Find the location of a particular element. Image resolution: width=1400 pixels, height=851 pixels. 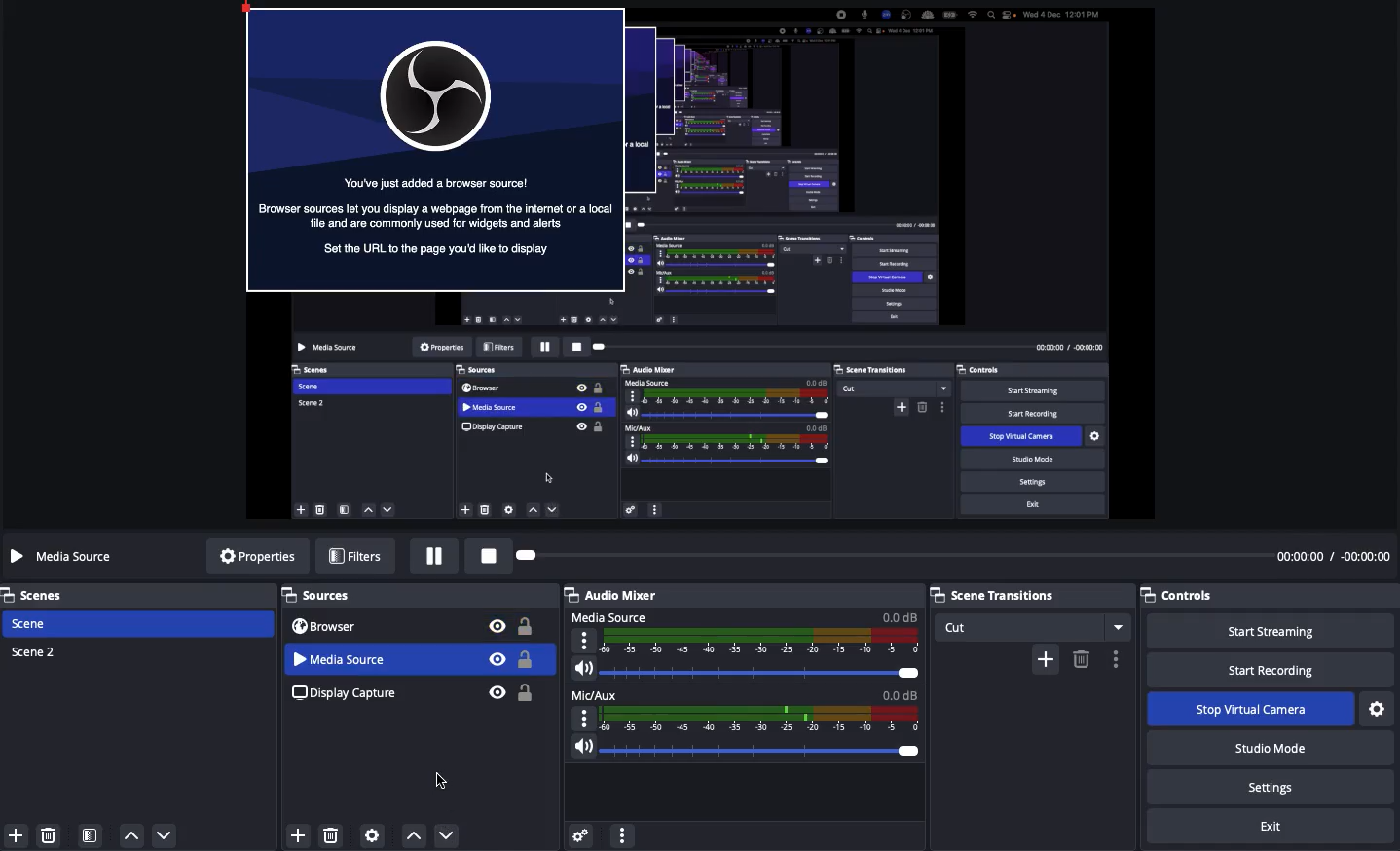

Media Source is located at coordinates (382, 658).